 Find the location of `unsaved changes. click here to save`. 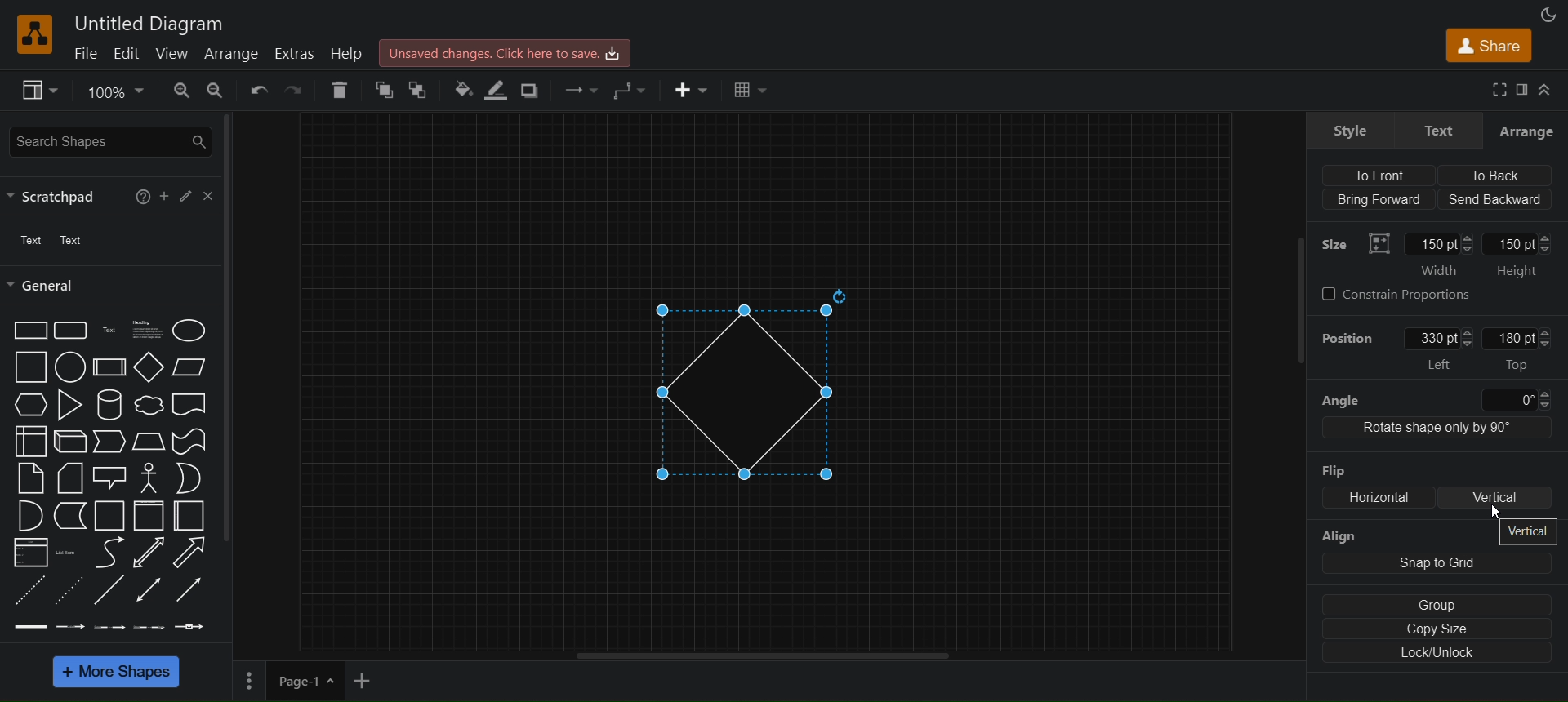

unsaved changes. click here to save is located at coordinates (502, 51).